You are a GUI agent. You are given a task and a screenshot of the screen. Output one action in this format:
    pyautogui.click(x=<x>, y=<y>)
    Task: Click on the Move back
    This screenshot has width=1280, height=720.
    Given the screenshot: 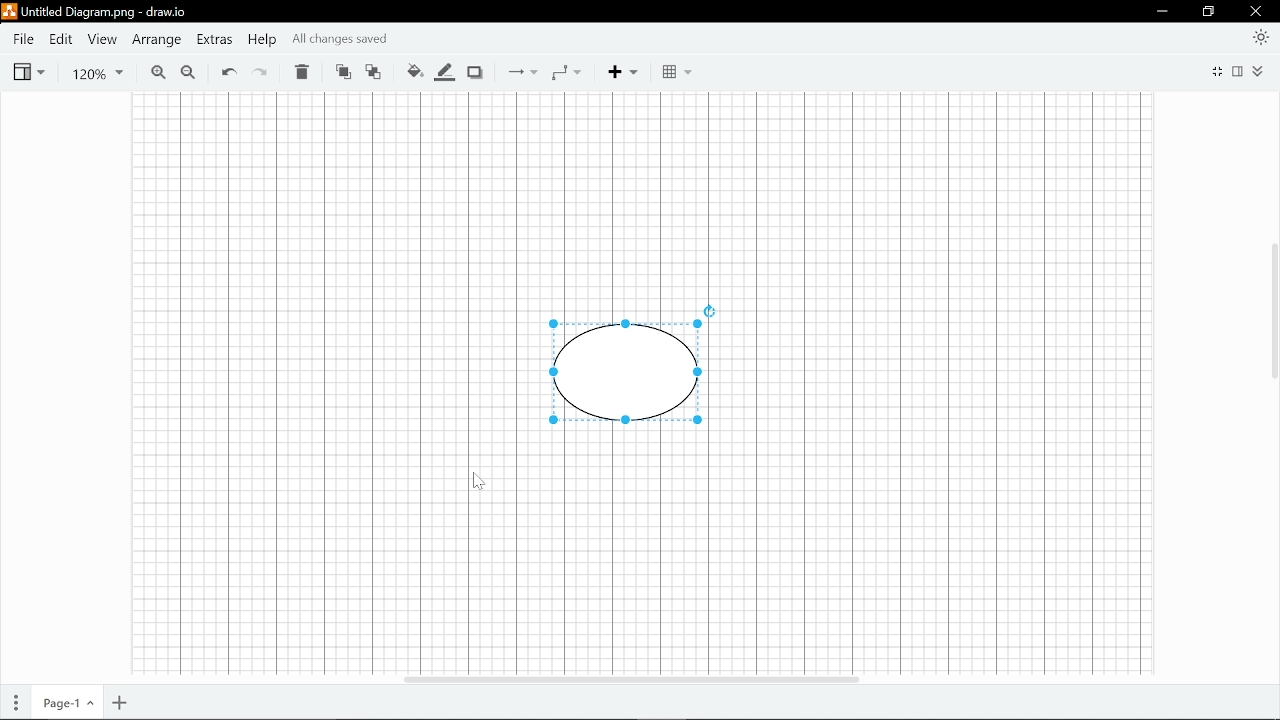 What is the action you would take?
    pyautogui.click(x=372, y=71)
    